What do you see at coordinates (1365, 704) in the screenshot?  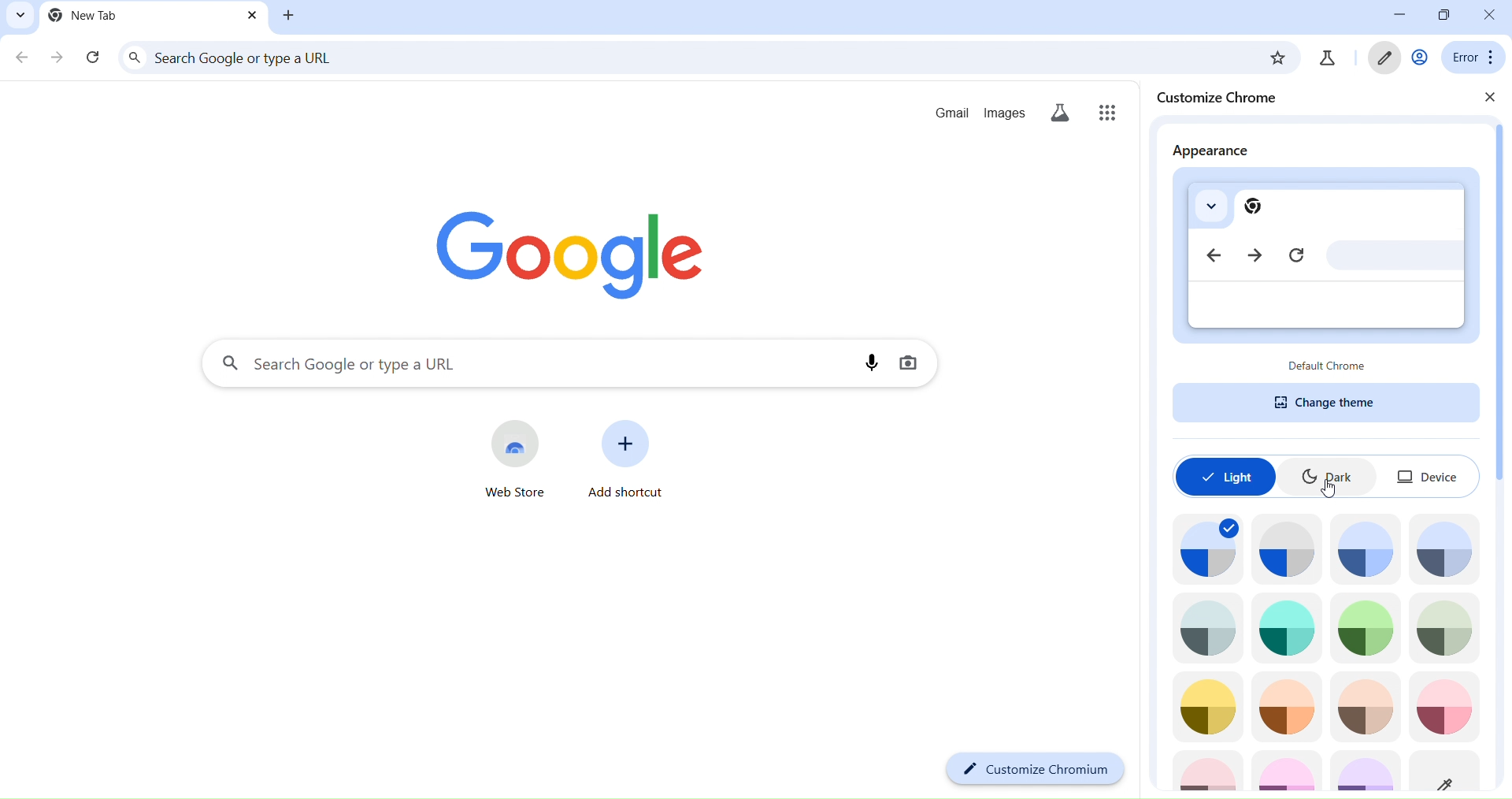 I see `theme icon` at bounding box center [1365, 704].